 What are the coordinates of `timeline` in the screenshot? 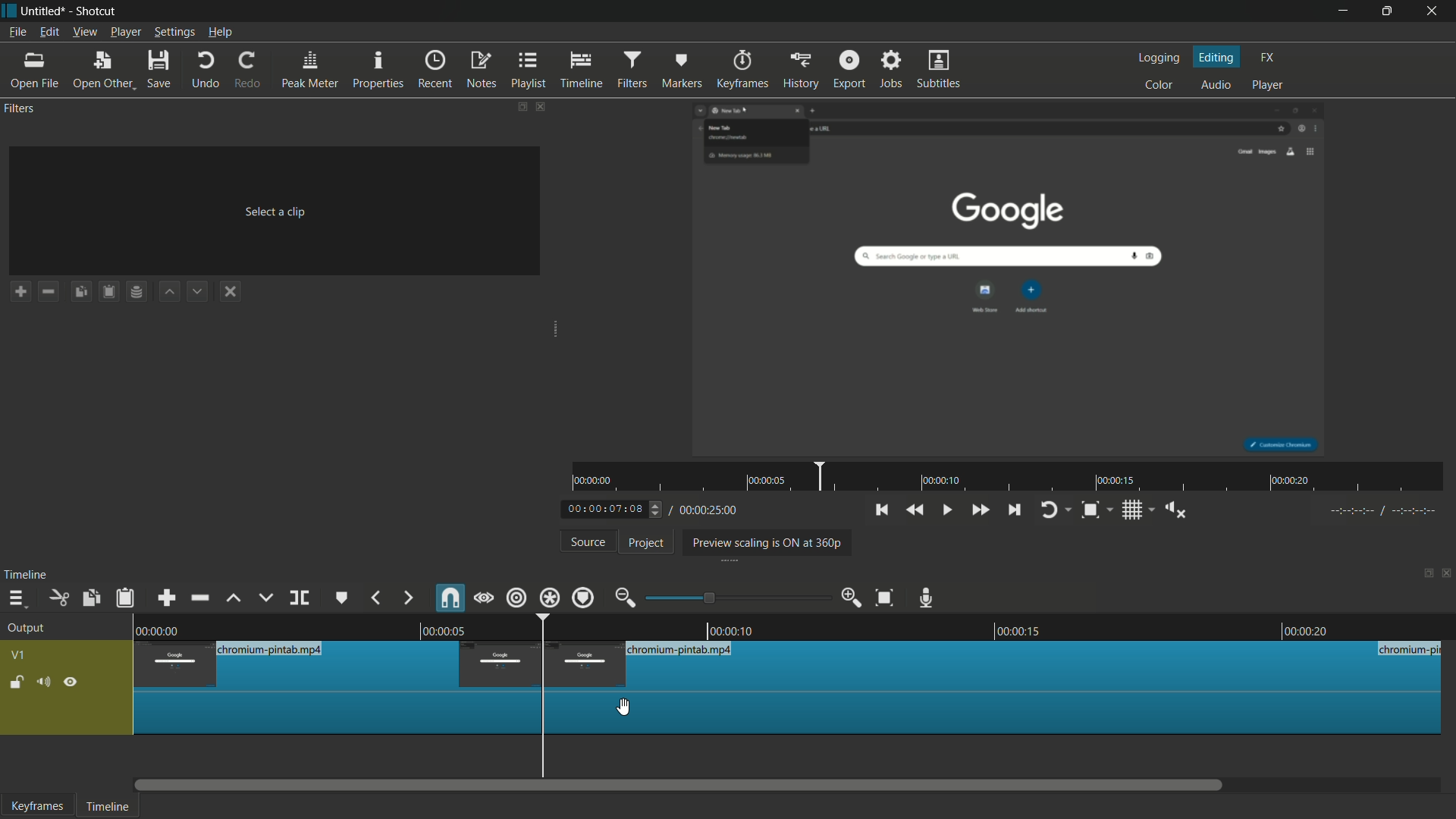 It's located at (26, 575).